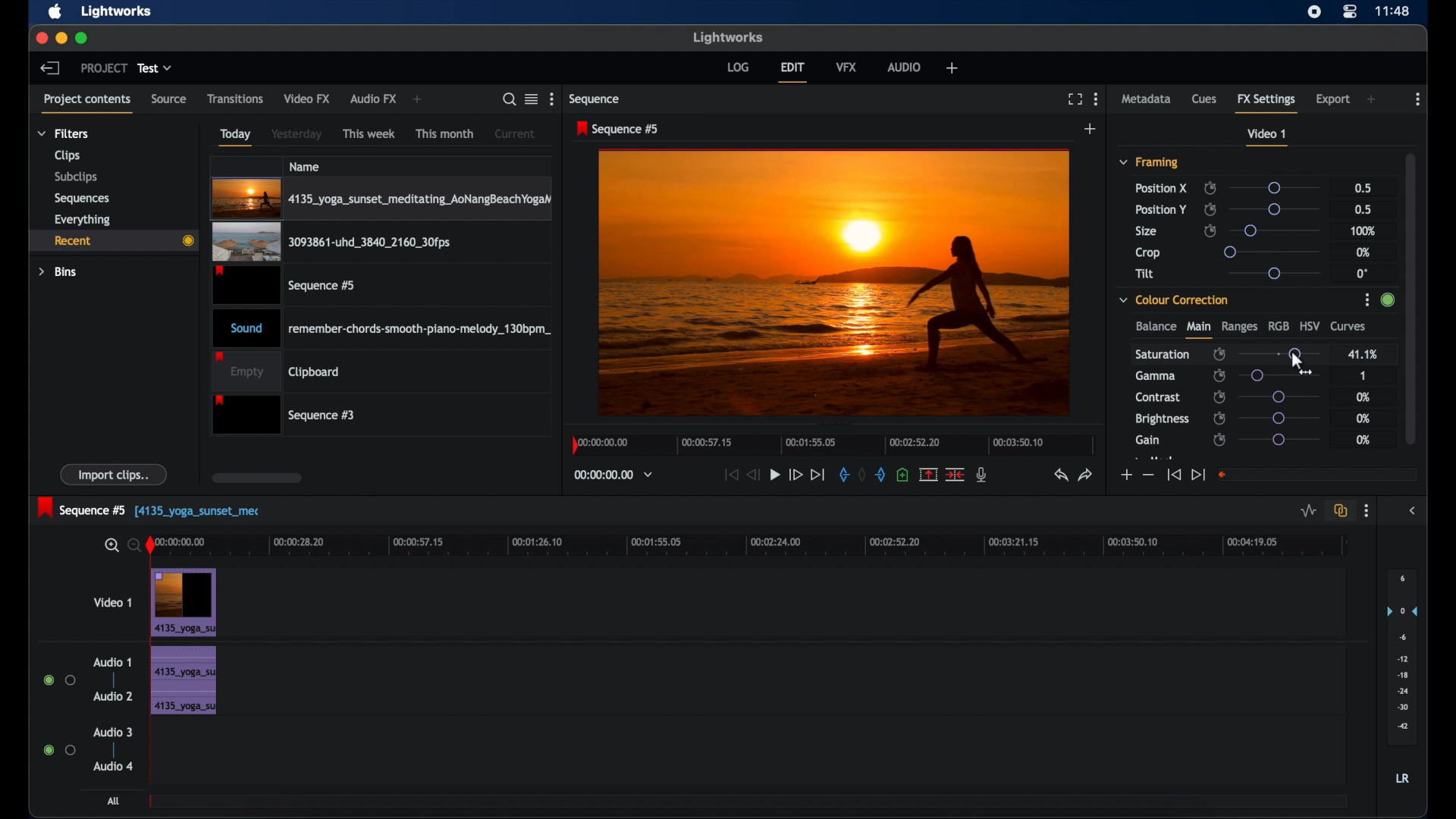 This screenshot has width=1456, height=819. What do you see at coordinates (1219, 375) in the screenshot?
I see `enable/disable keyframes` at bounding box center [1219, 375].